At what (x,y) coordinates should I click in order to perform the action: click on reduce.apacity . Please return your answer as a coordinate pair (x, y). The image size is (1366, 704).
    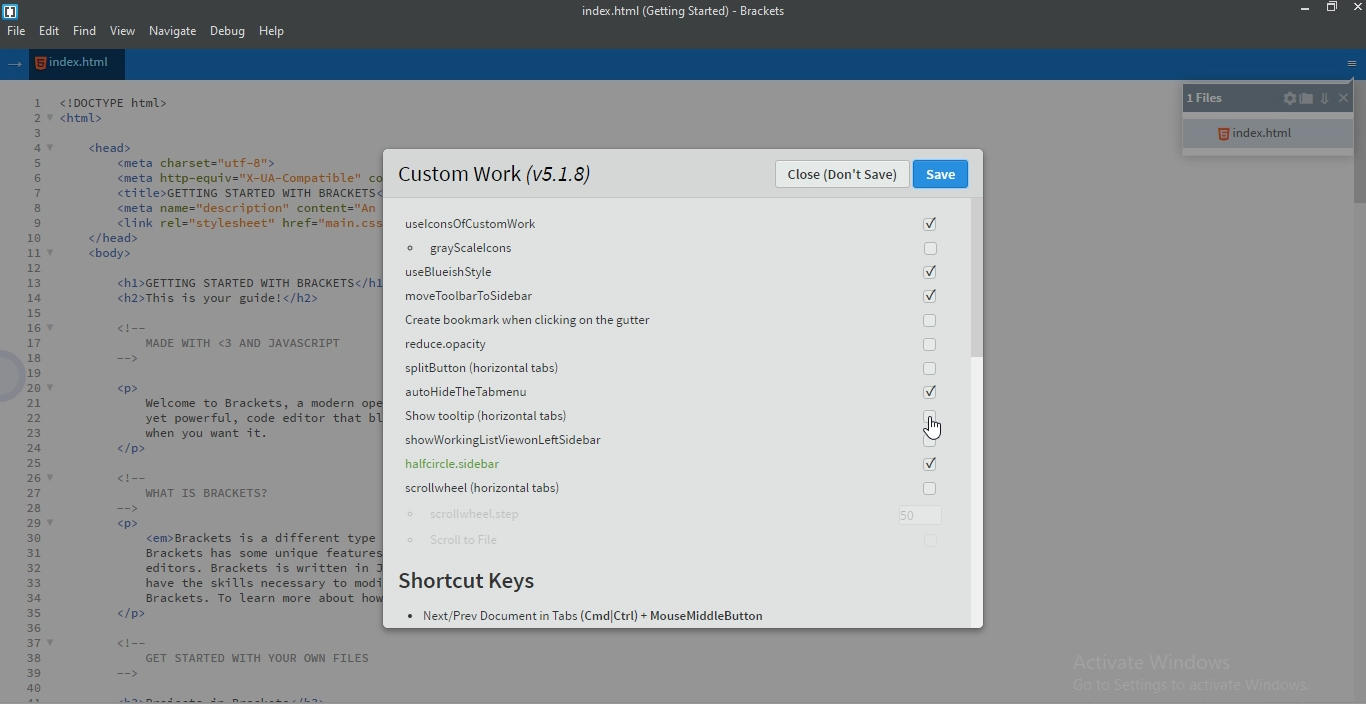
    Looking at the image, I should click on (673, 343).